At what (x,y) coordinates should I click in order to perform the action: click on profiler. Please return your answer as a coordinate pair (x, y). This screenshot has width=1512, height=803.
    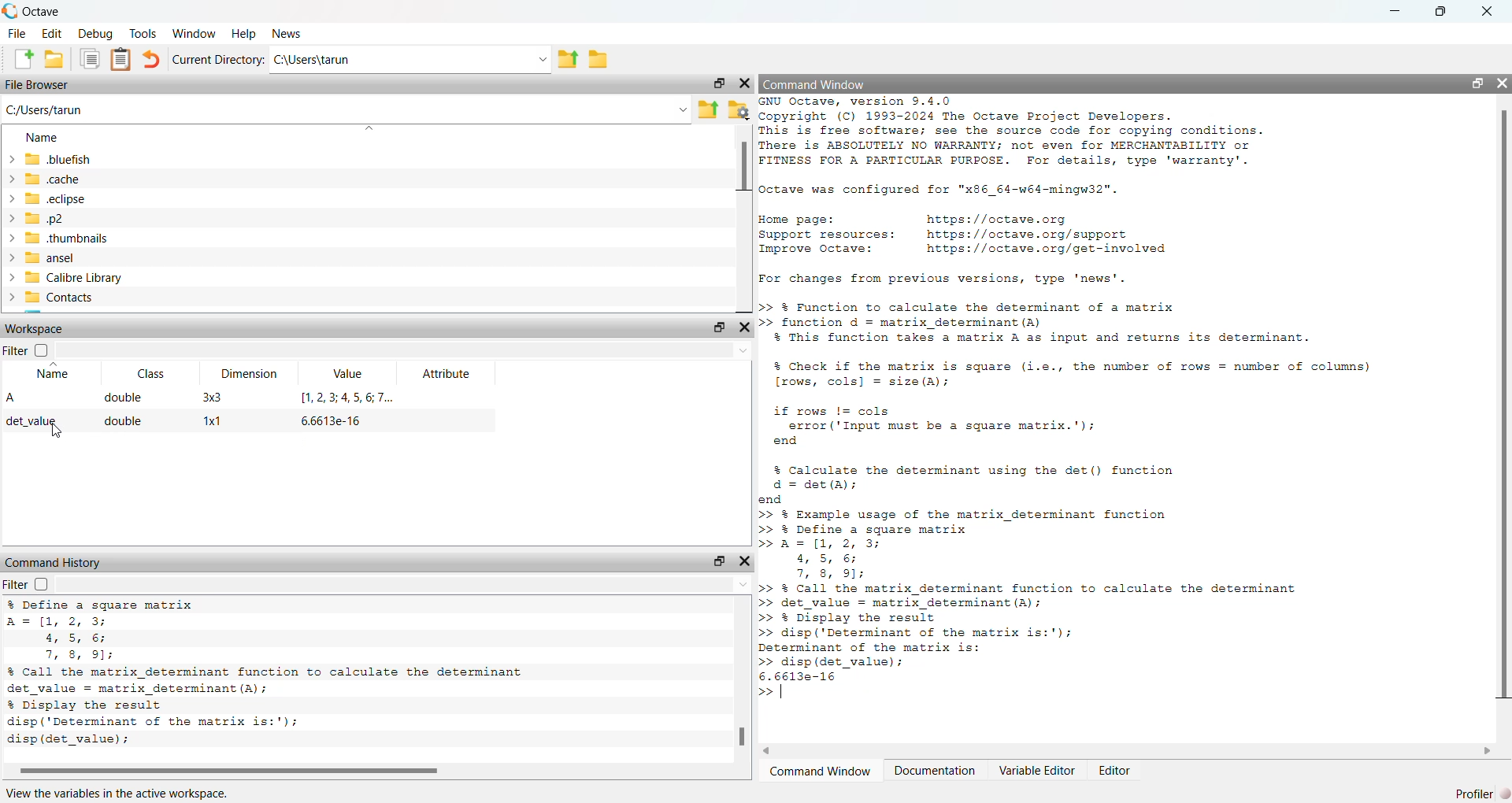
    Looking at the image, I should click on (1482, 792).